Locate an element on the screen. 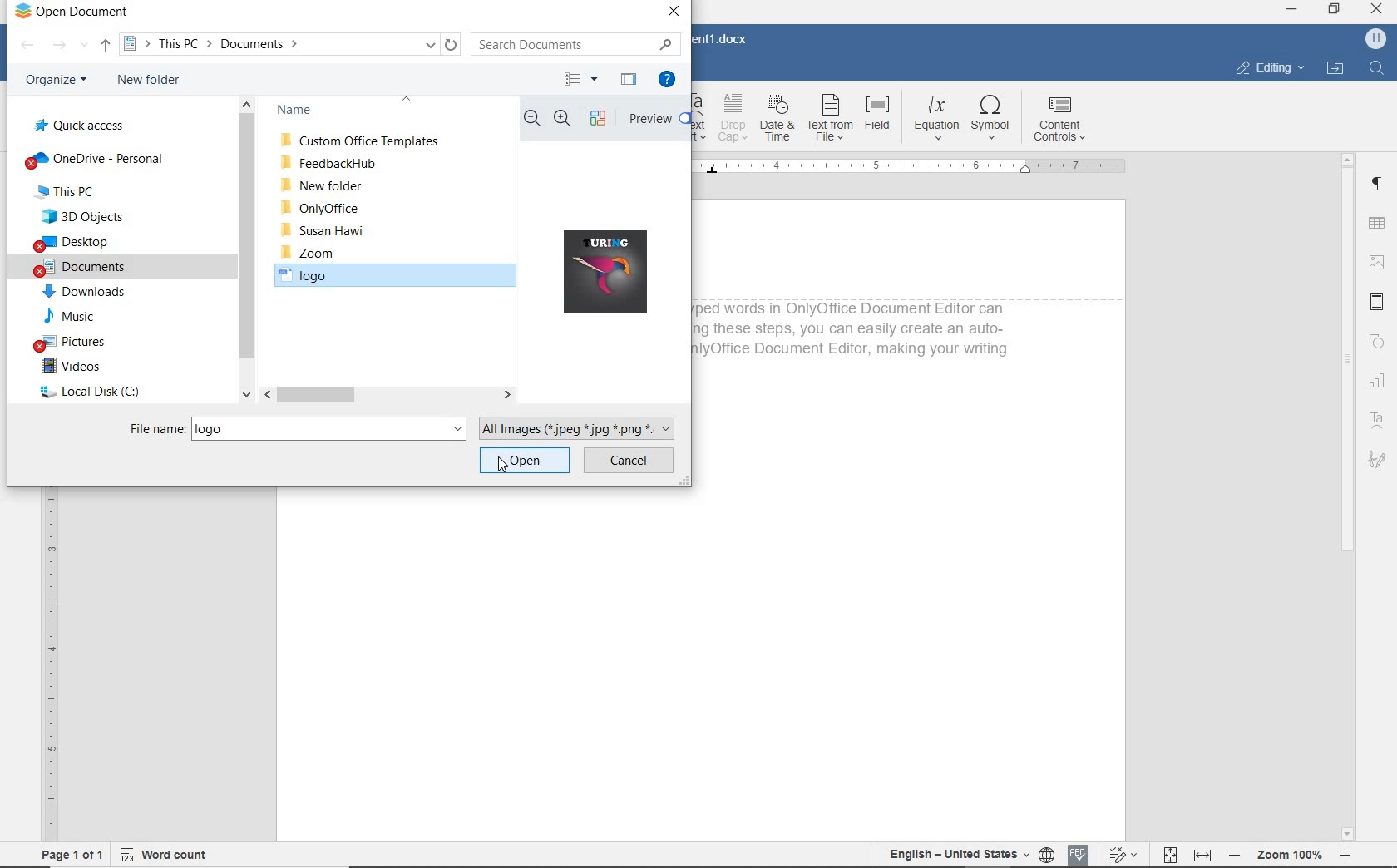 The width and height of the screenshot is (1397, 868). DOCUMENTS is located at coordinates (82, 269).